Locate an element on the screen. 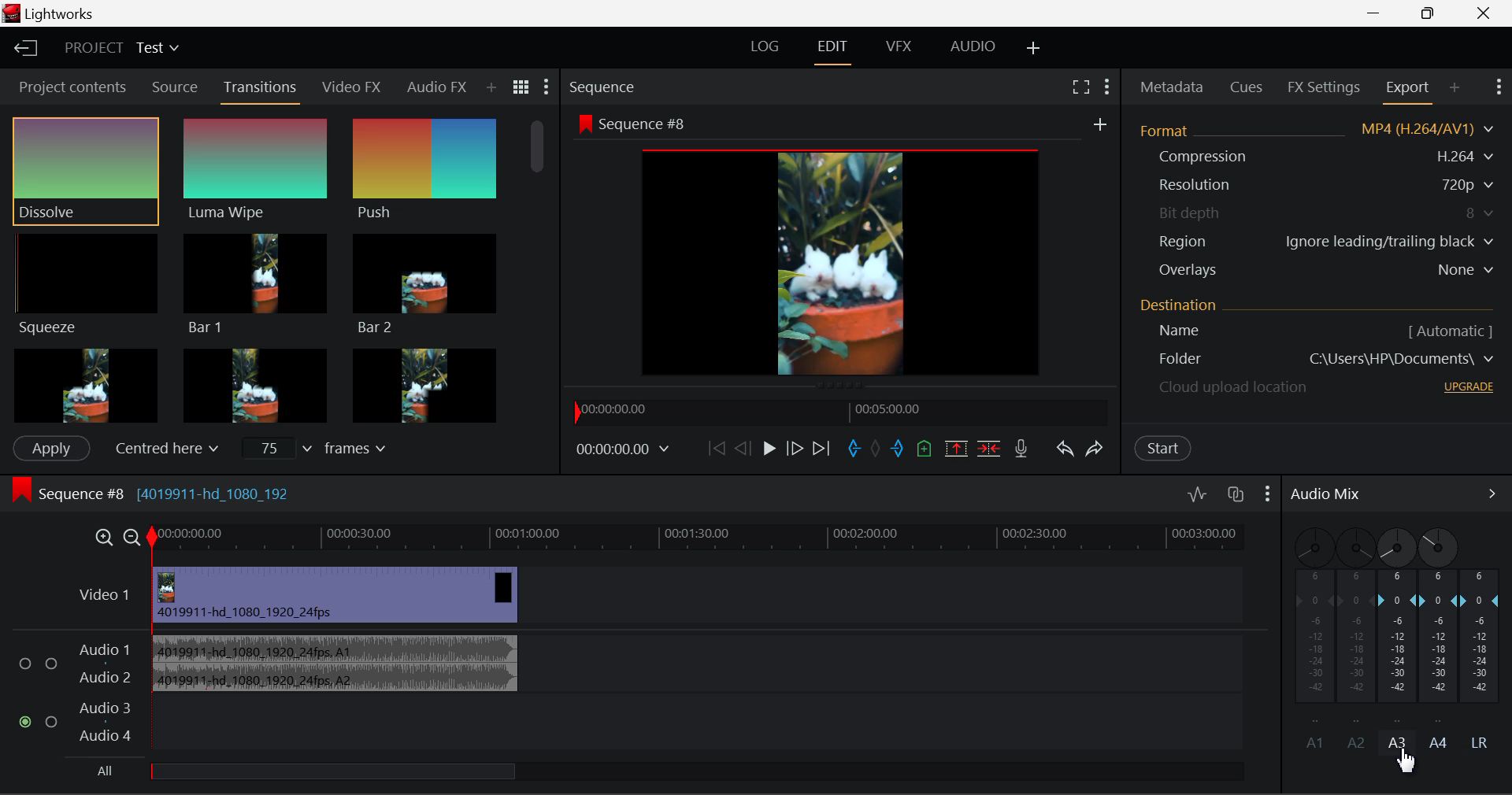 The height and width of the screenshot is (795, 1512). Box 1 is located at coordinates (85, 384).